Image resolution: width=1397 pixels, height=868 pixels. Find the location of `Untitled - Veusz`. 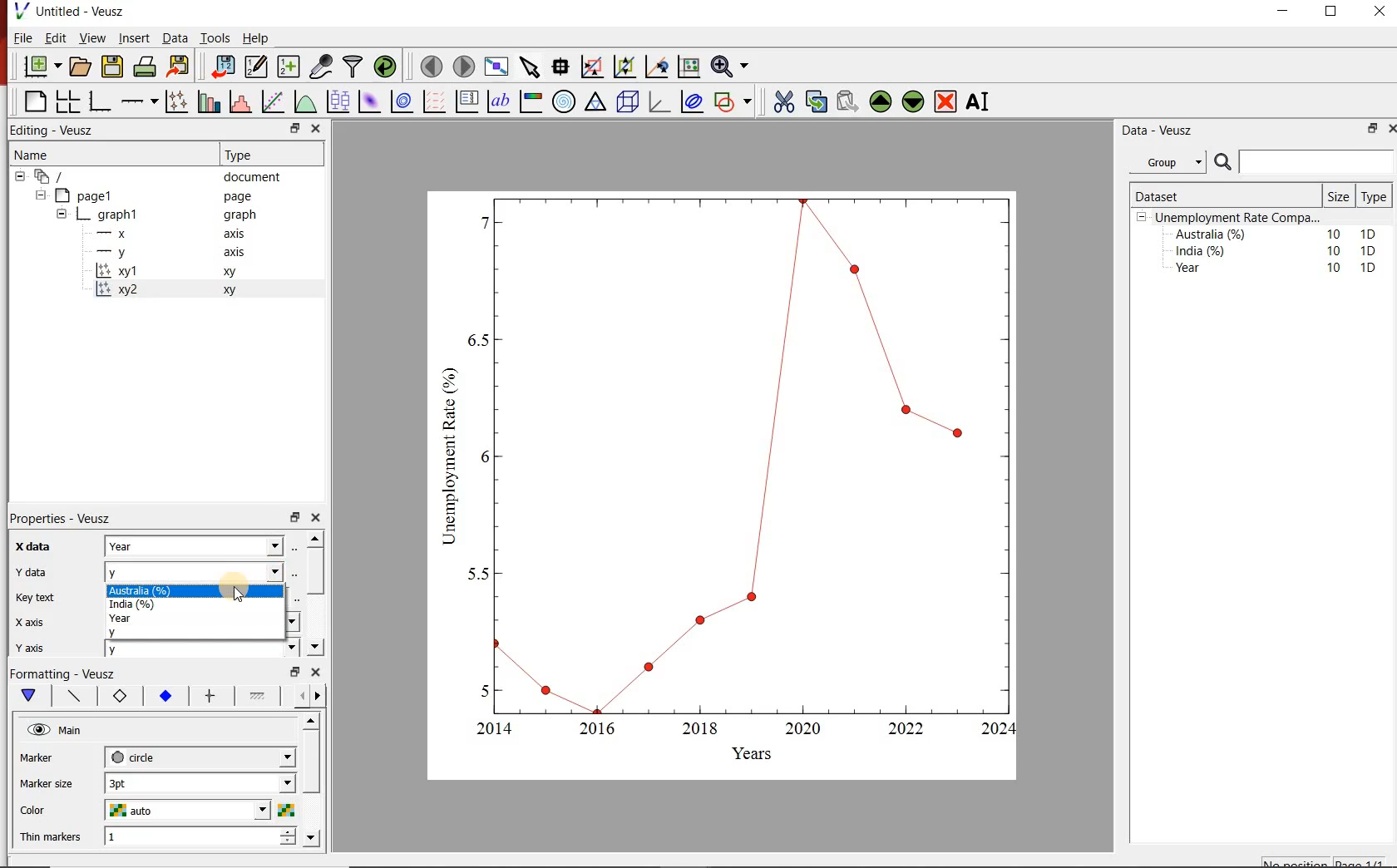

Untitled - Veusz is located at coordinates (68, 10).